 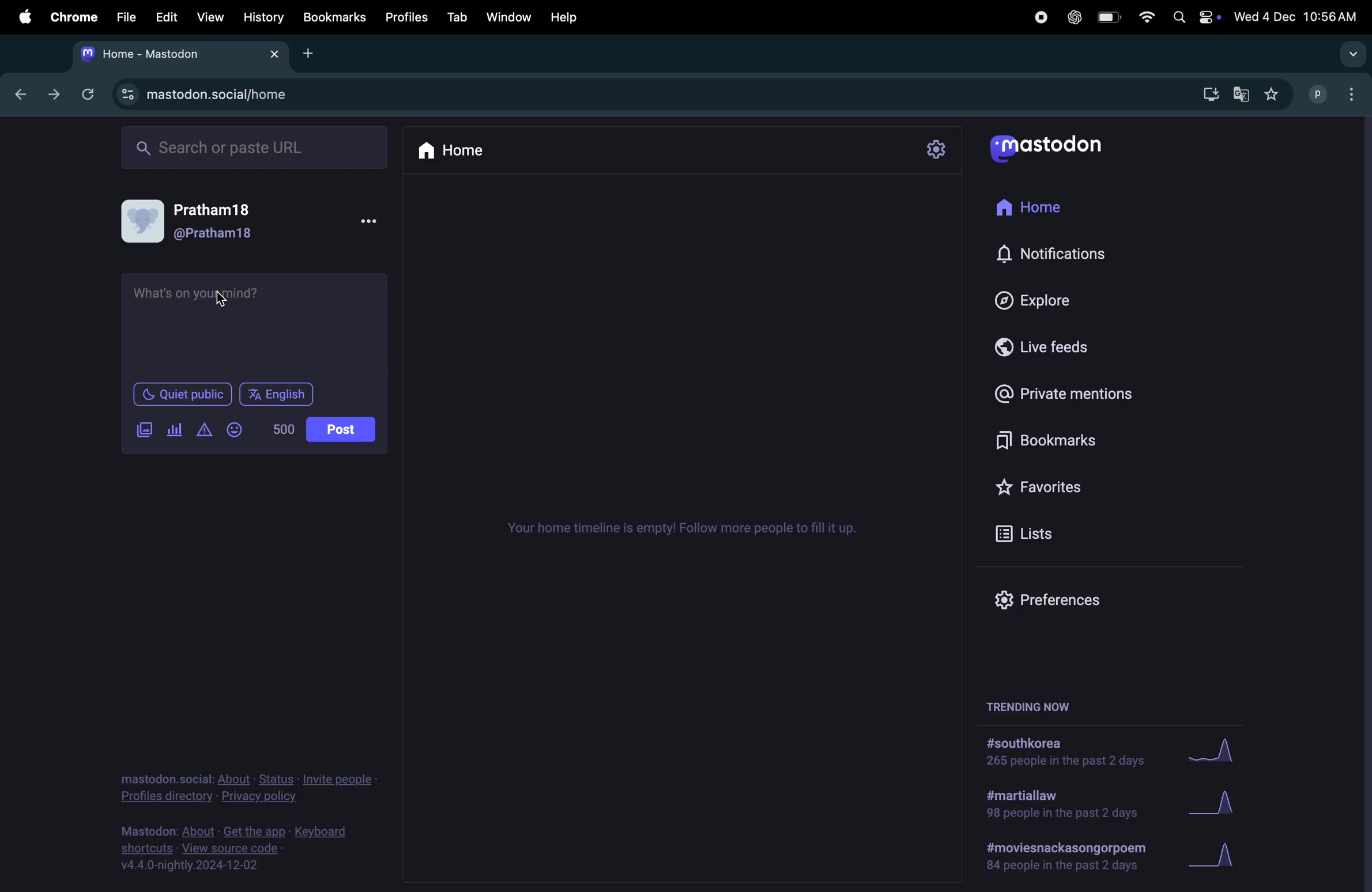 What do you see at coordinates (256, 325) in the screenshot?
I see `textbox` at bounding box center [256, 325].